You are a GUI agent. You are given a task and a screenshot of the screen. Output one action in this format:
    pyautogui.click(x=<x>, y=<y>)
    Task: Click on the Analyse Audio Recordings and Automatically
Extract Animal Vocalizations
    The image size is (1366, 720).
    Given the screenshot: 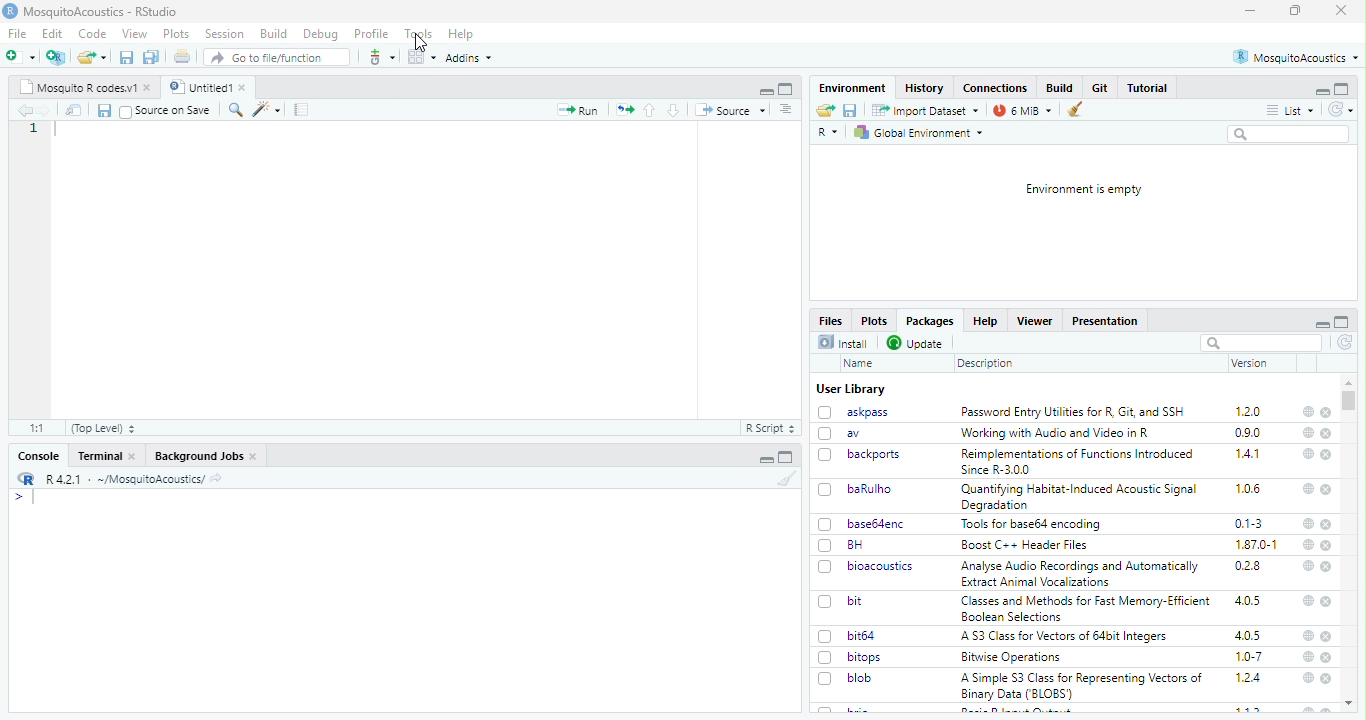 What is the action you would take?
    pyautogui.click(x=1082, y=573)
    